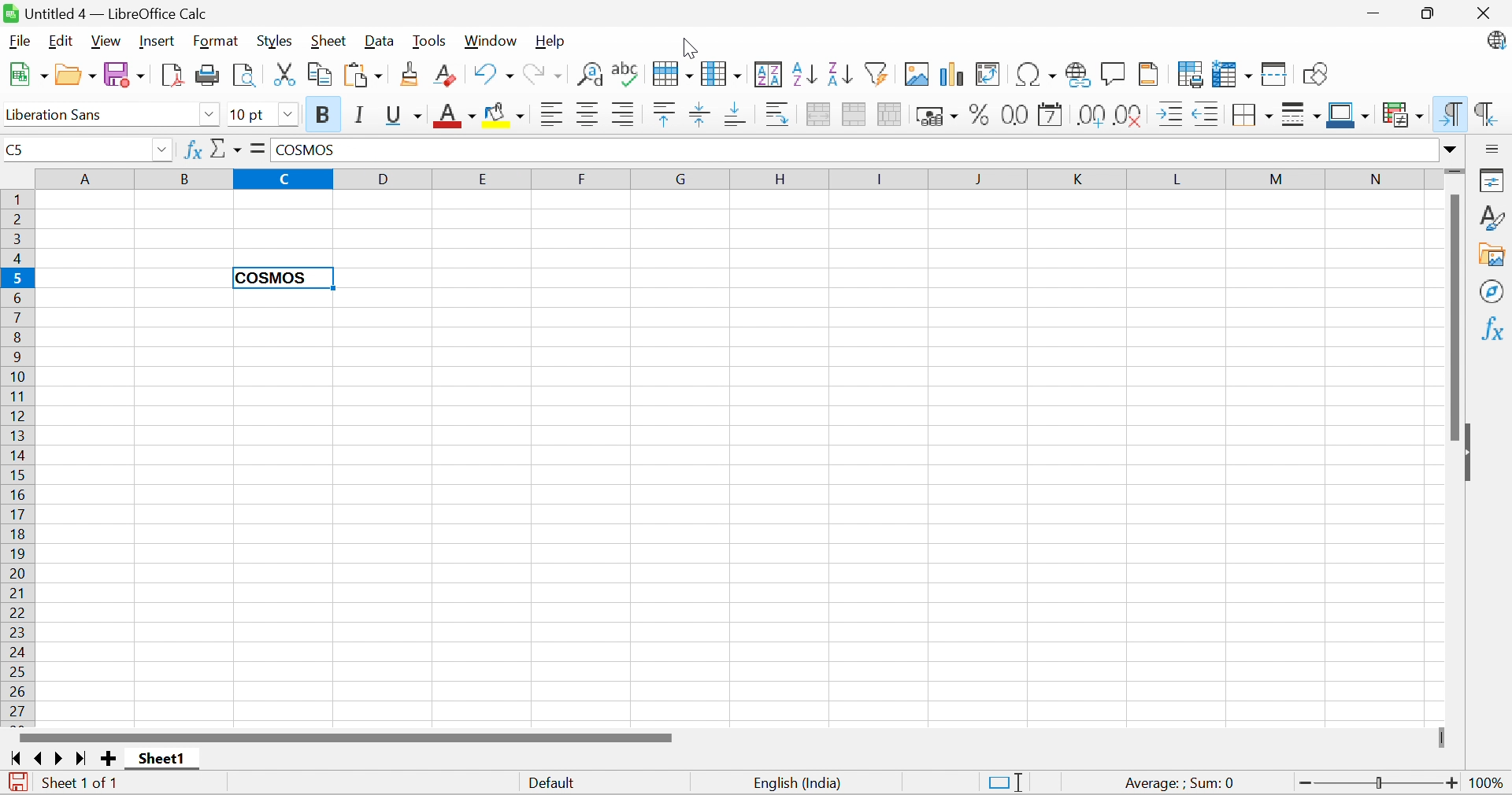  Describe the element at coordinates (554, 42) in the screenshot. I see `Help` at that location.